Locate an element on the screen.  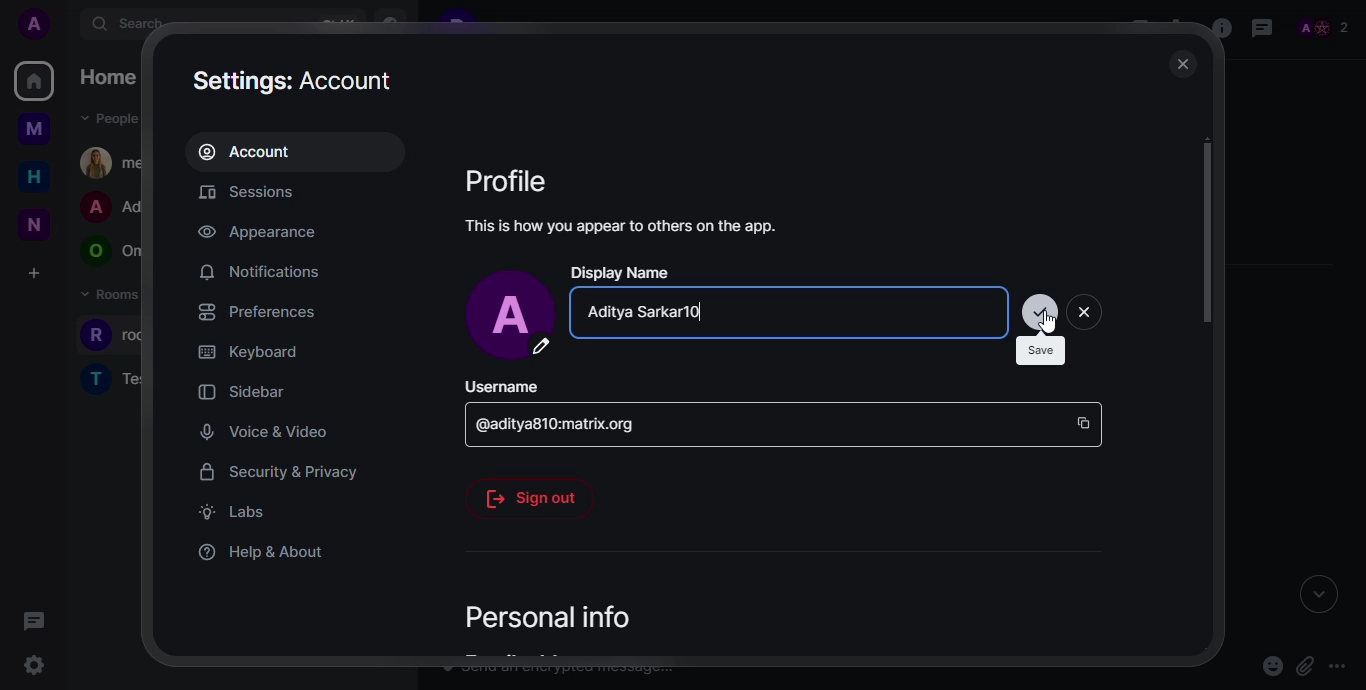
sidebar is located at coordinates (240, 391).